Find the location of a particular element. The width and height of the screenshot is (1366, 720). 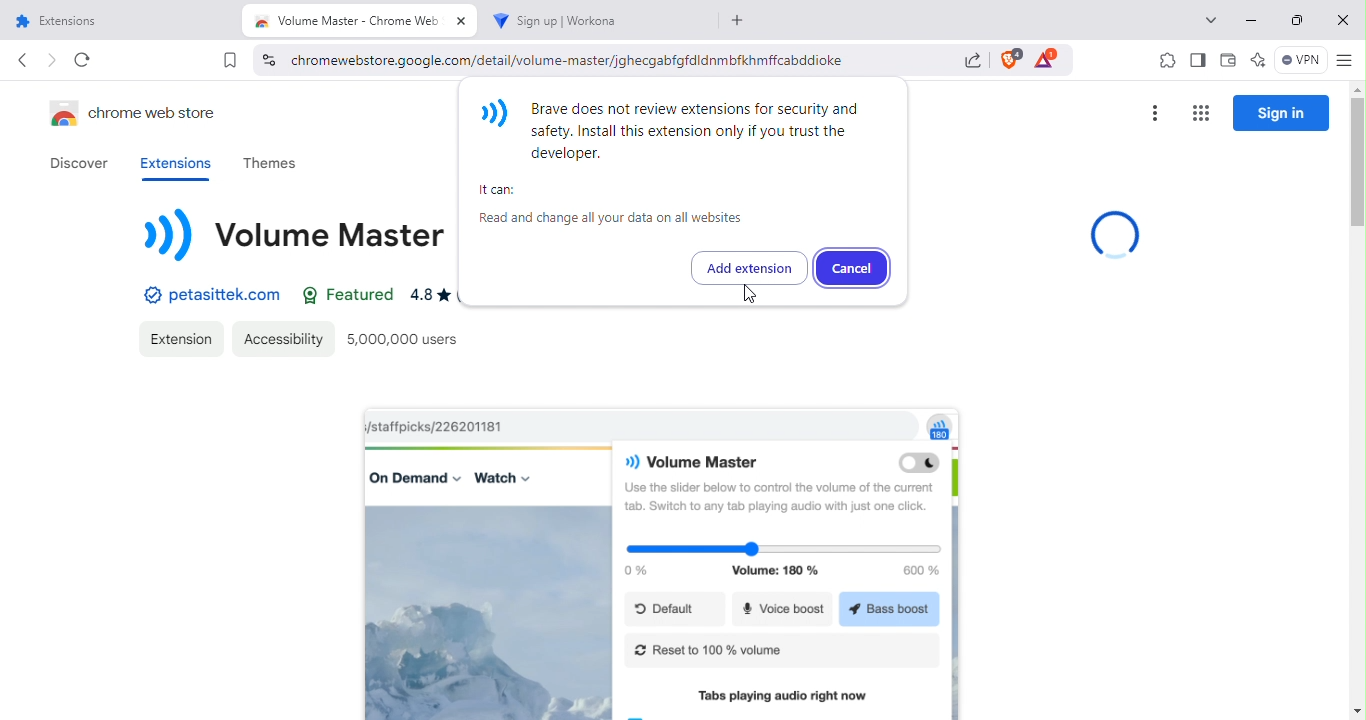

scroll bar is located at coordinates (1359, 401).